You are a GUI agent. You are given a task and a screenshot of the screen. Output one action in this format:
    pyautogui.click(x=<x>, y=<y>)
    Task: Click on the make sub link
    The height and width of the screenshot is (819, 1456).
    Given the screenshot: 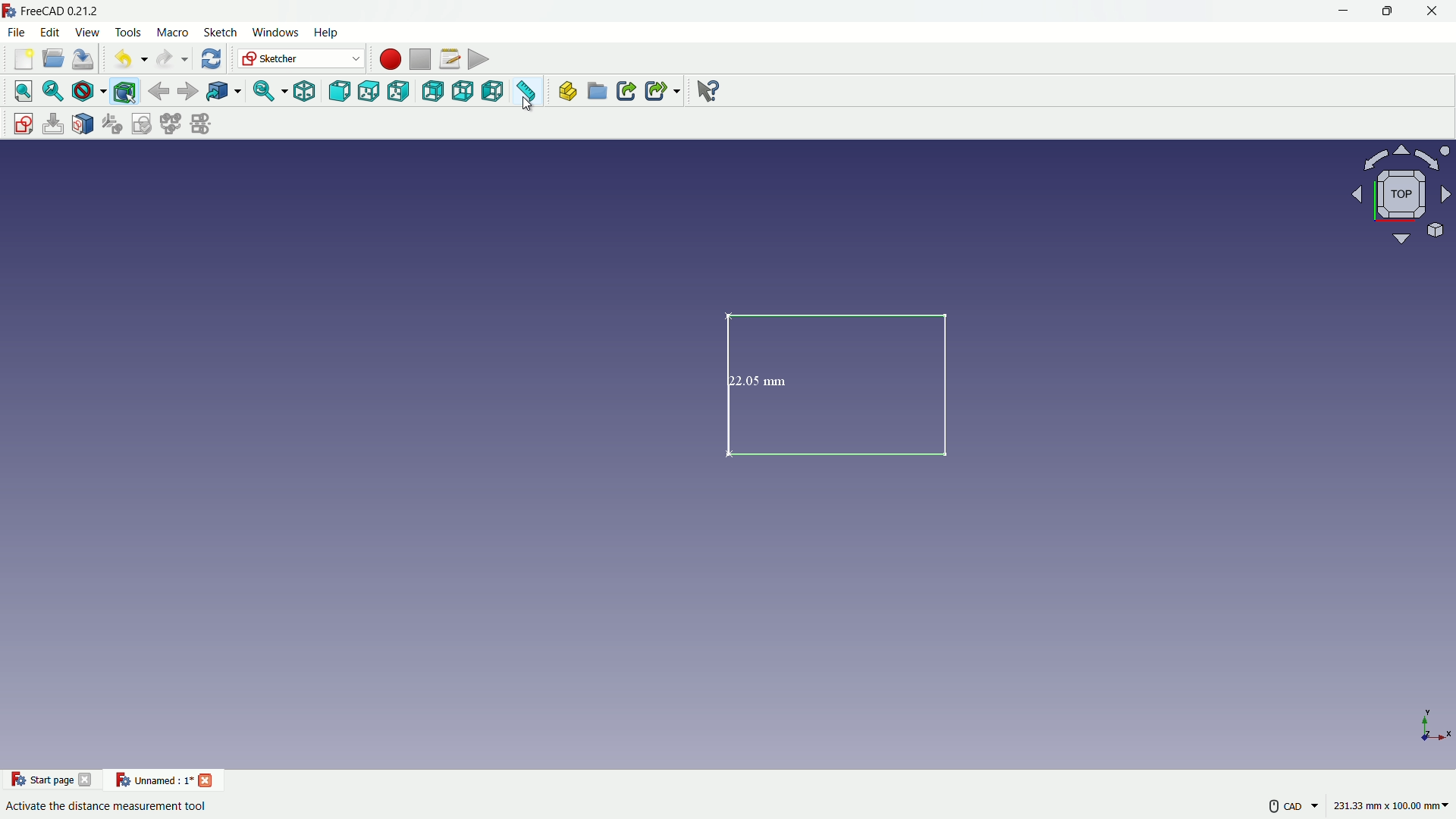 What is the action you would take?
    pyautogui.click(x=661, y=91)
    